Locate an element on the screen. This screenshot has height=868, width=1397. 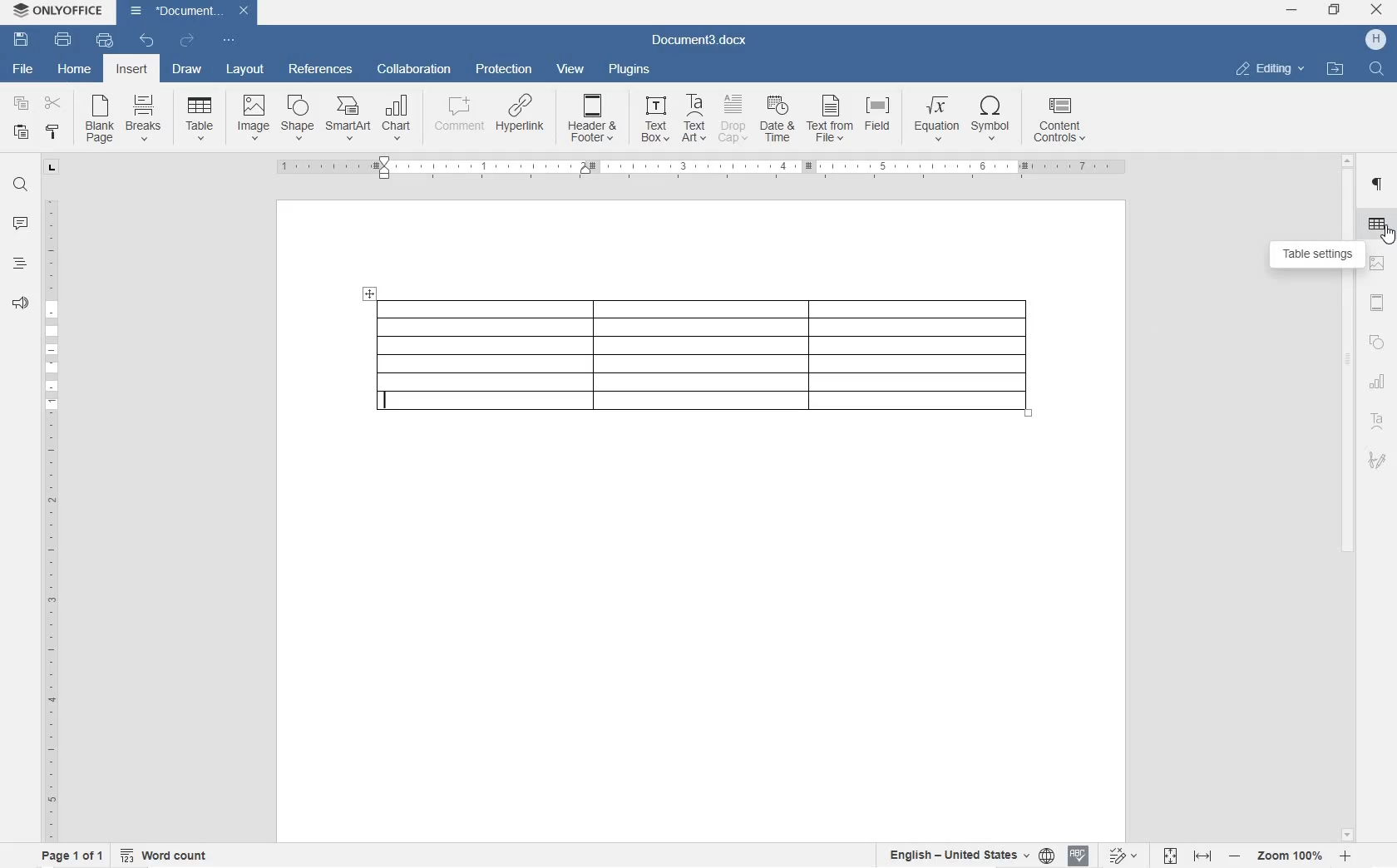
COPY STYLE is located at coordinates (53, 132).